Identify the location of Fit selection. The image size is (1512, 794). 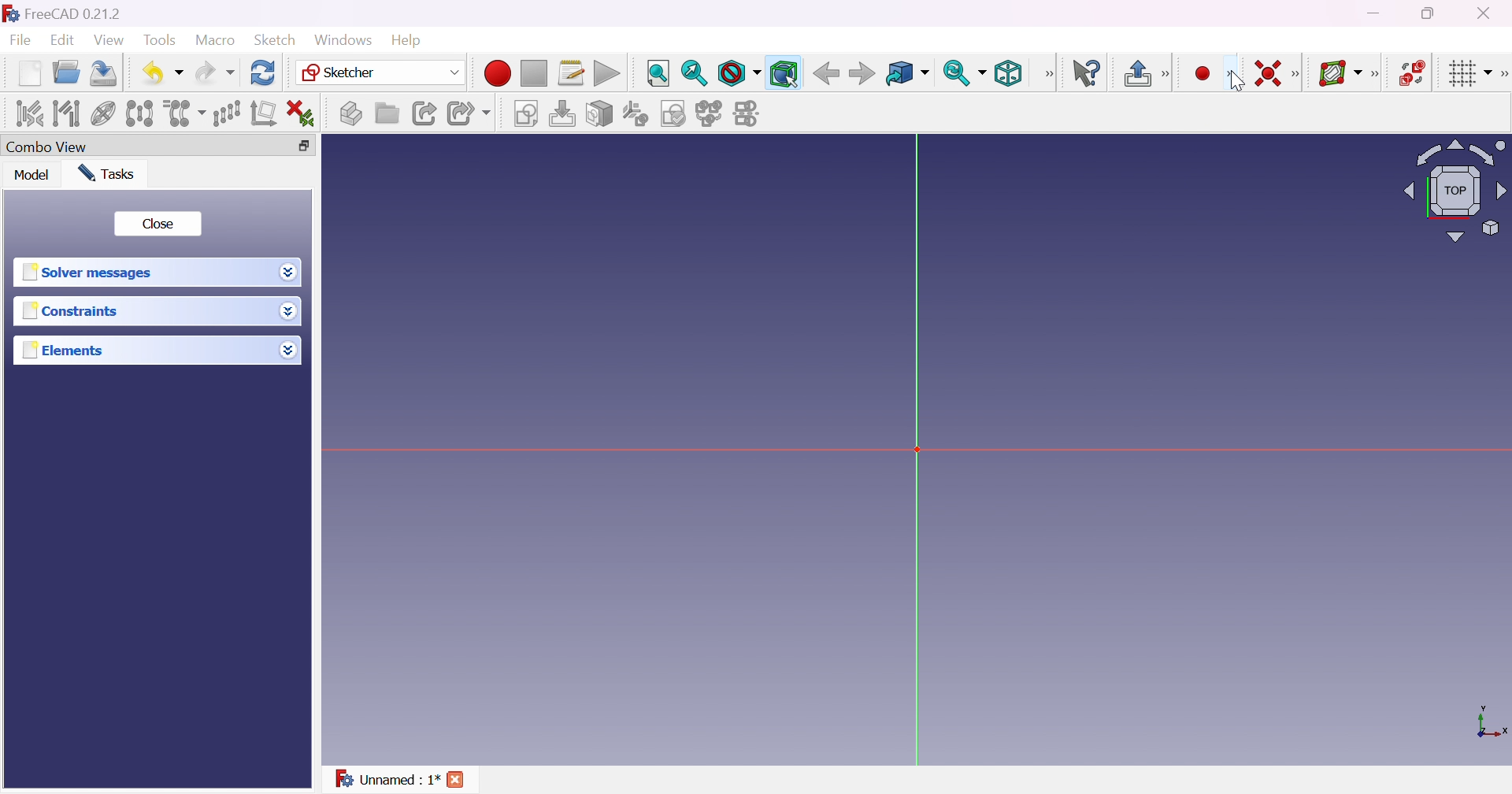
(694, 73).